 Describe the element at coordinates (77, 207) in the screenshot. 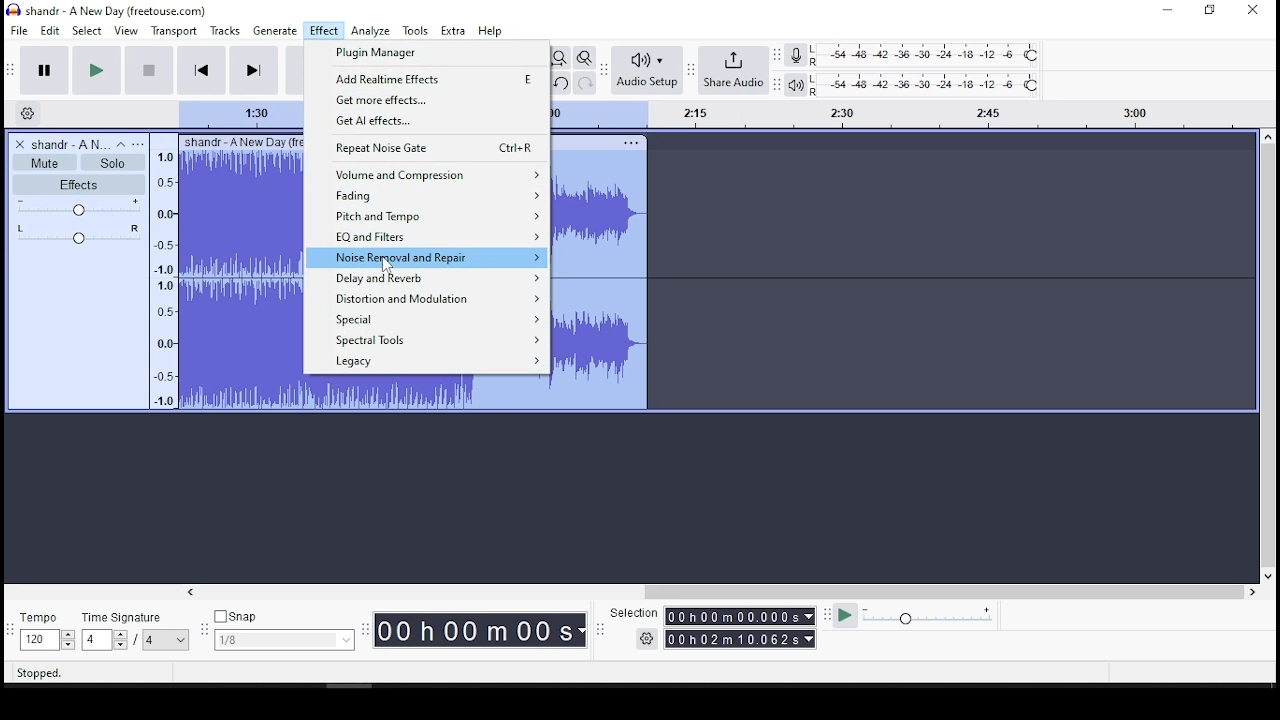

I see `volume` at that location.